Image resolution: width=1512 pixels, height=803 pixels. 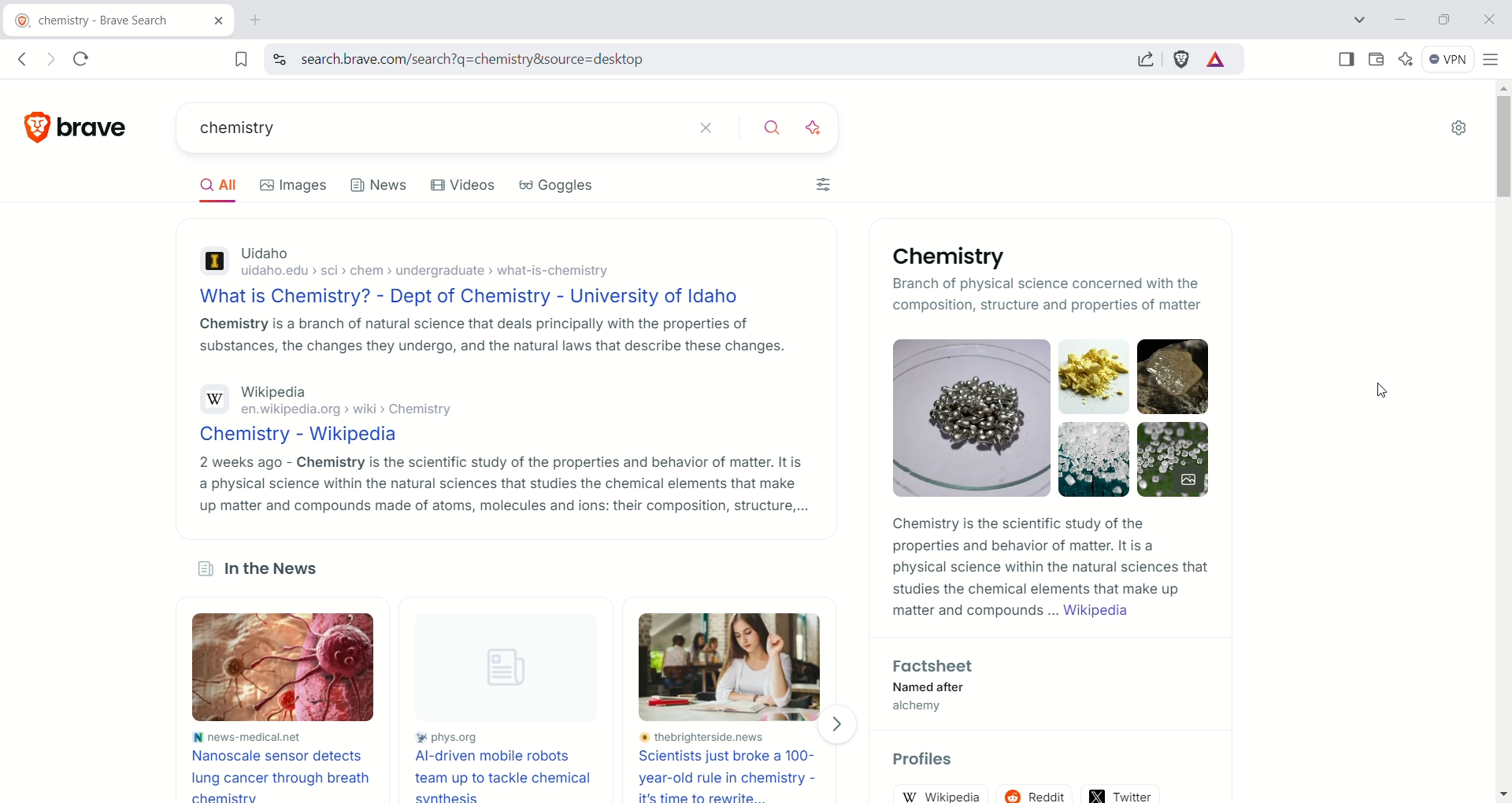 I want to click on Profiles, so click(x=932, y=761).